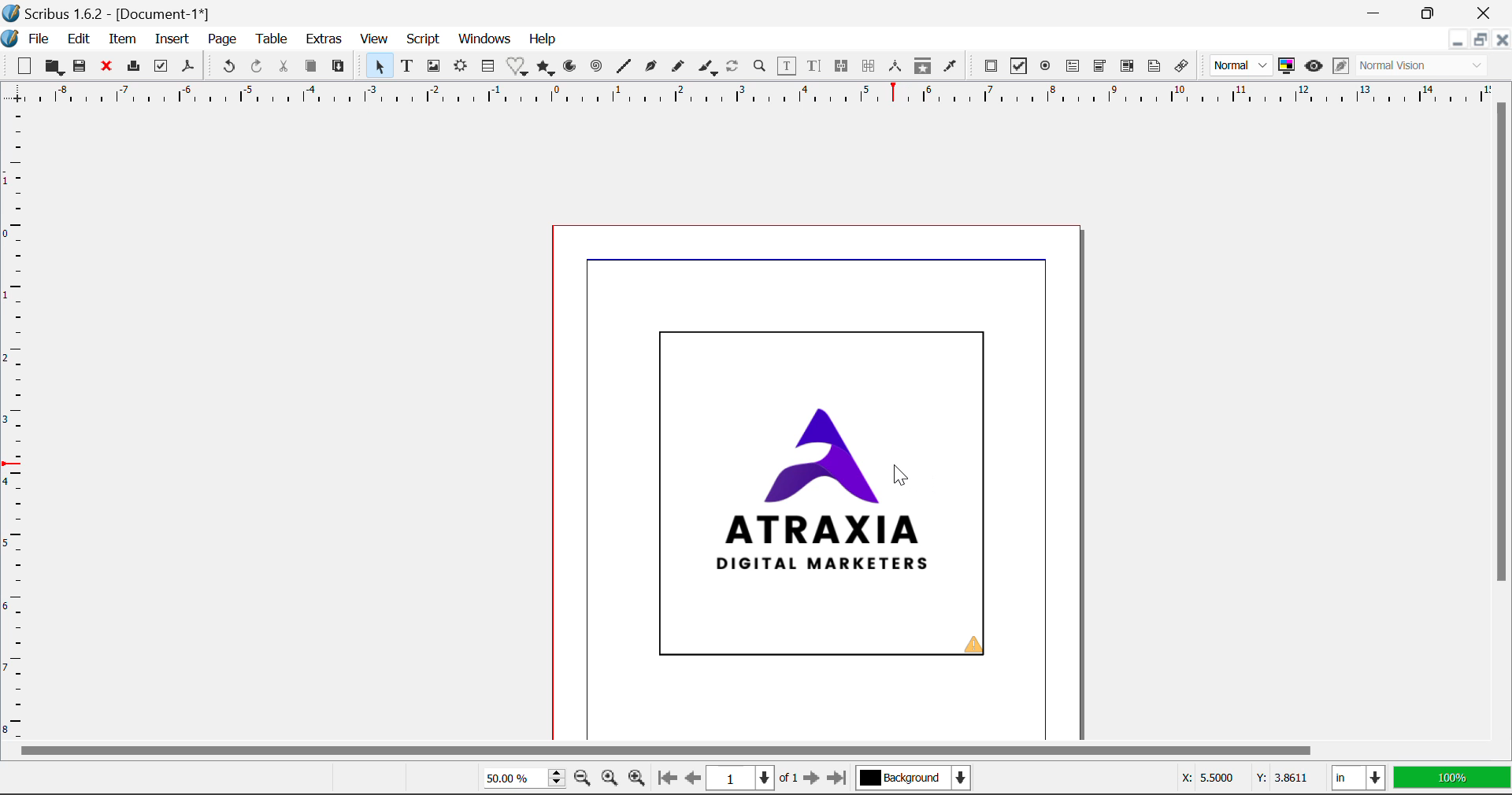 This screenshot has height=795, width=1512. What do you see at coordinates (582, 779) in the screenshot?
I see `Zoom out` at bounding box center [582, 779].